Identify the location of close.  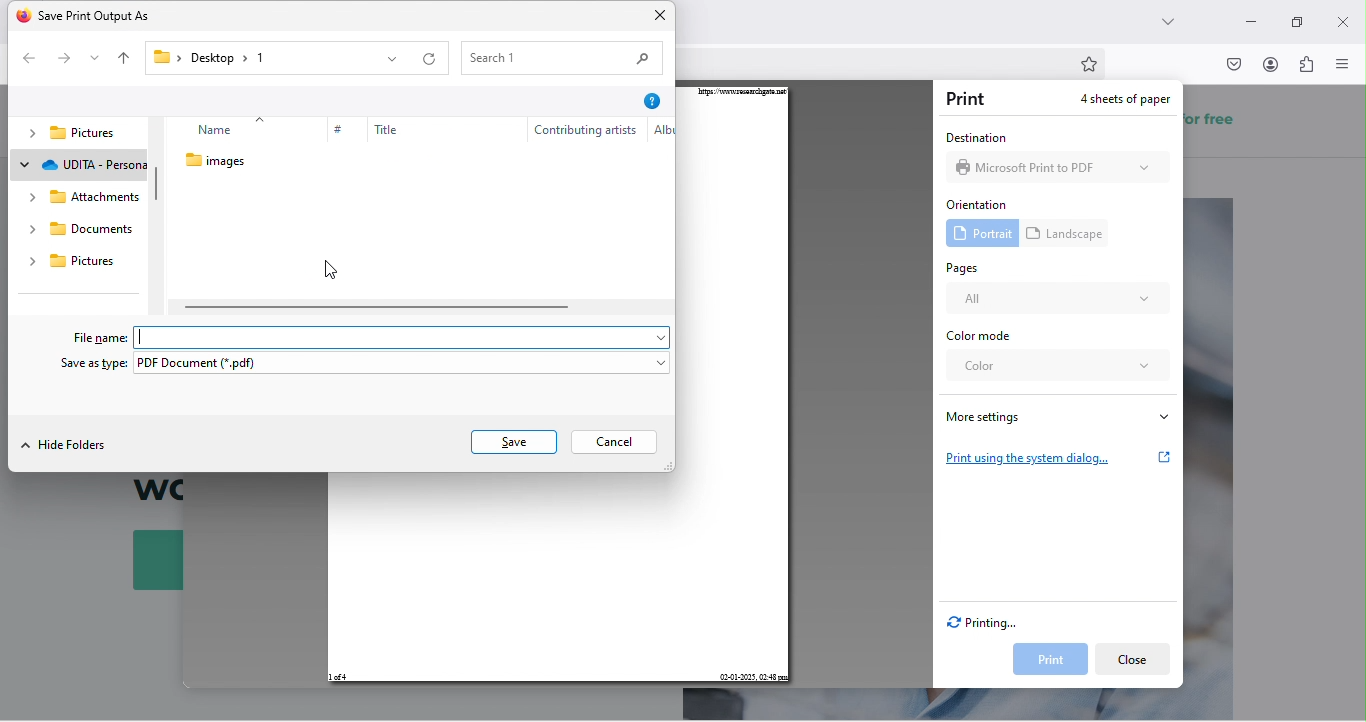
(661, 17).